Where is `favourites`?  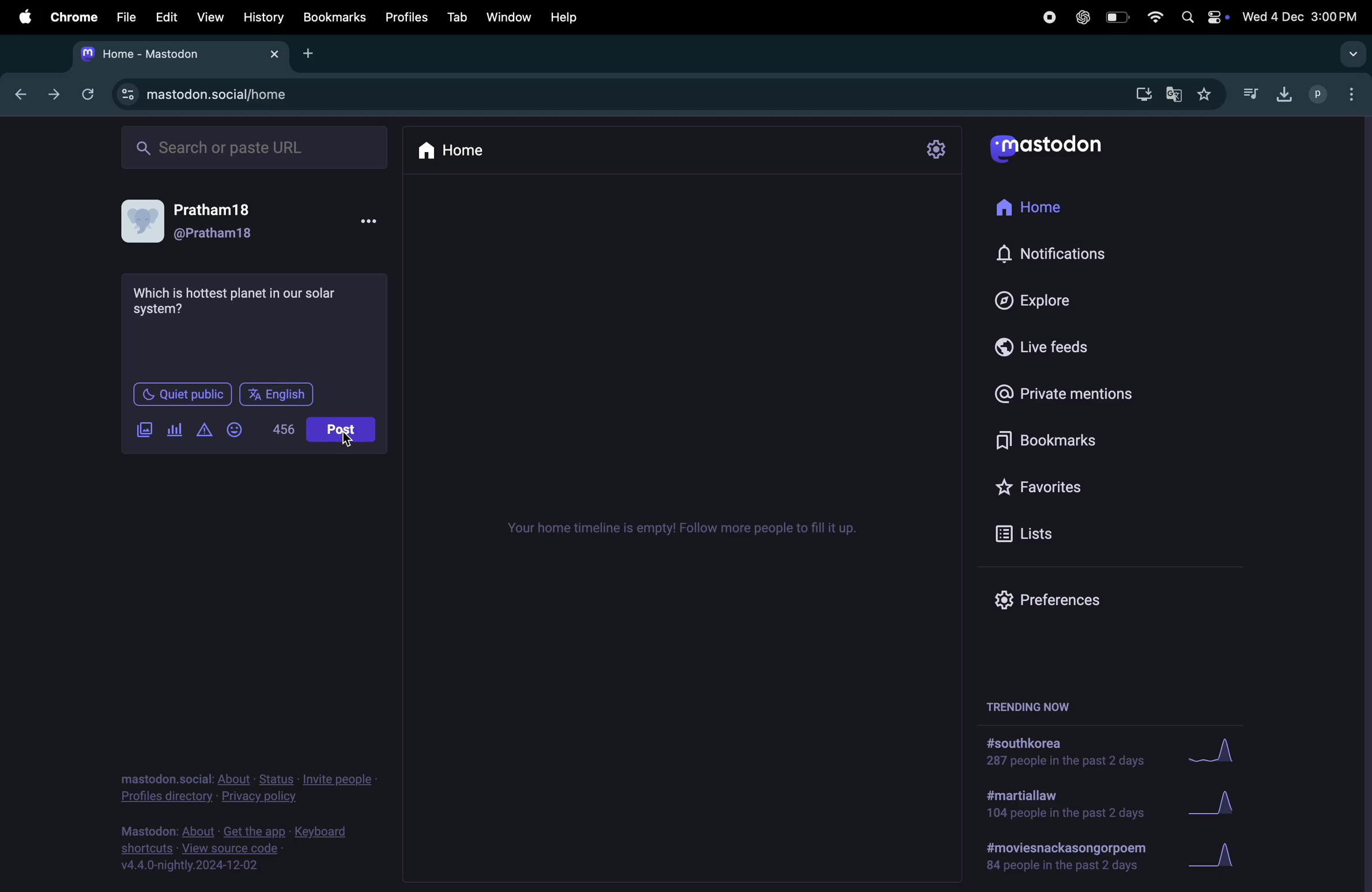
favourites is located at coordinates (1207, 92).